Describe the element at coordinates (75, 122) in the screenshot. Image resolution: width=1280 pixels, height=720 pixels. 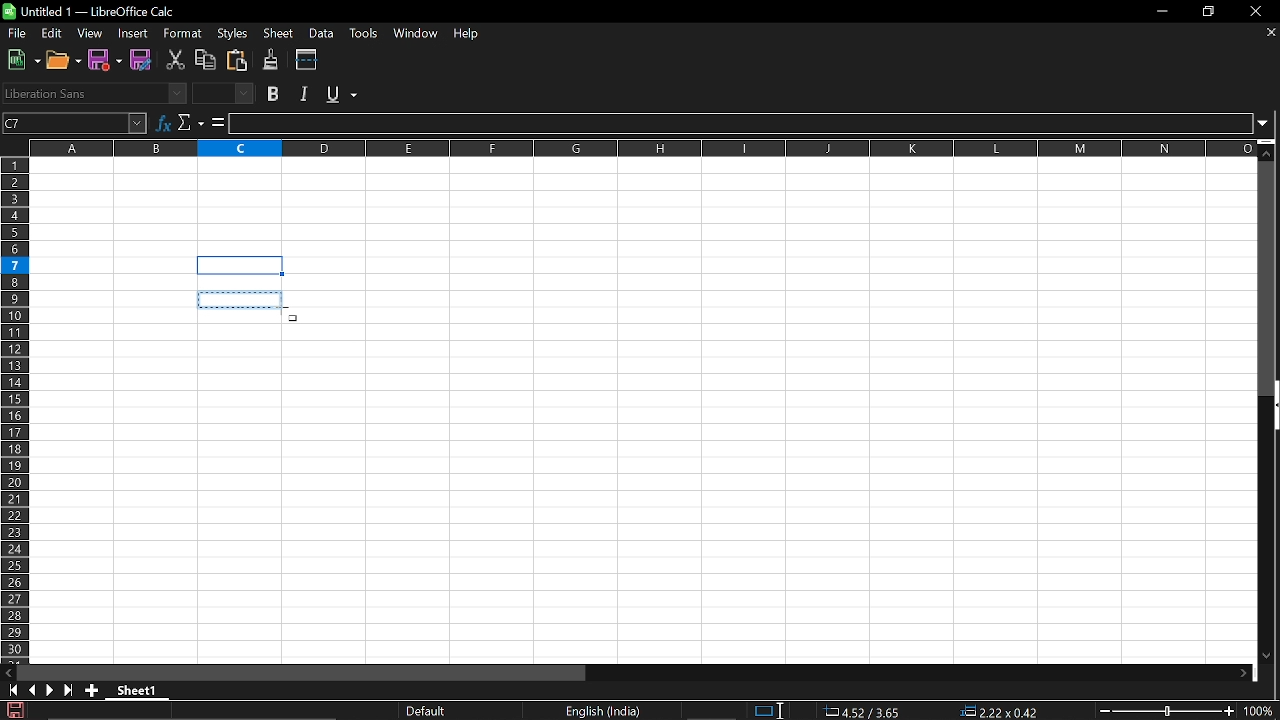
I see `Name box` at that location.